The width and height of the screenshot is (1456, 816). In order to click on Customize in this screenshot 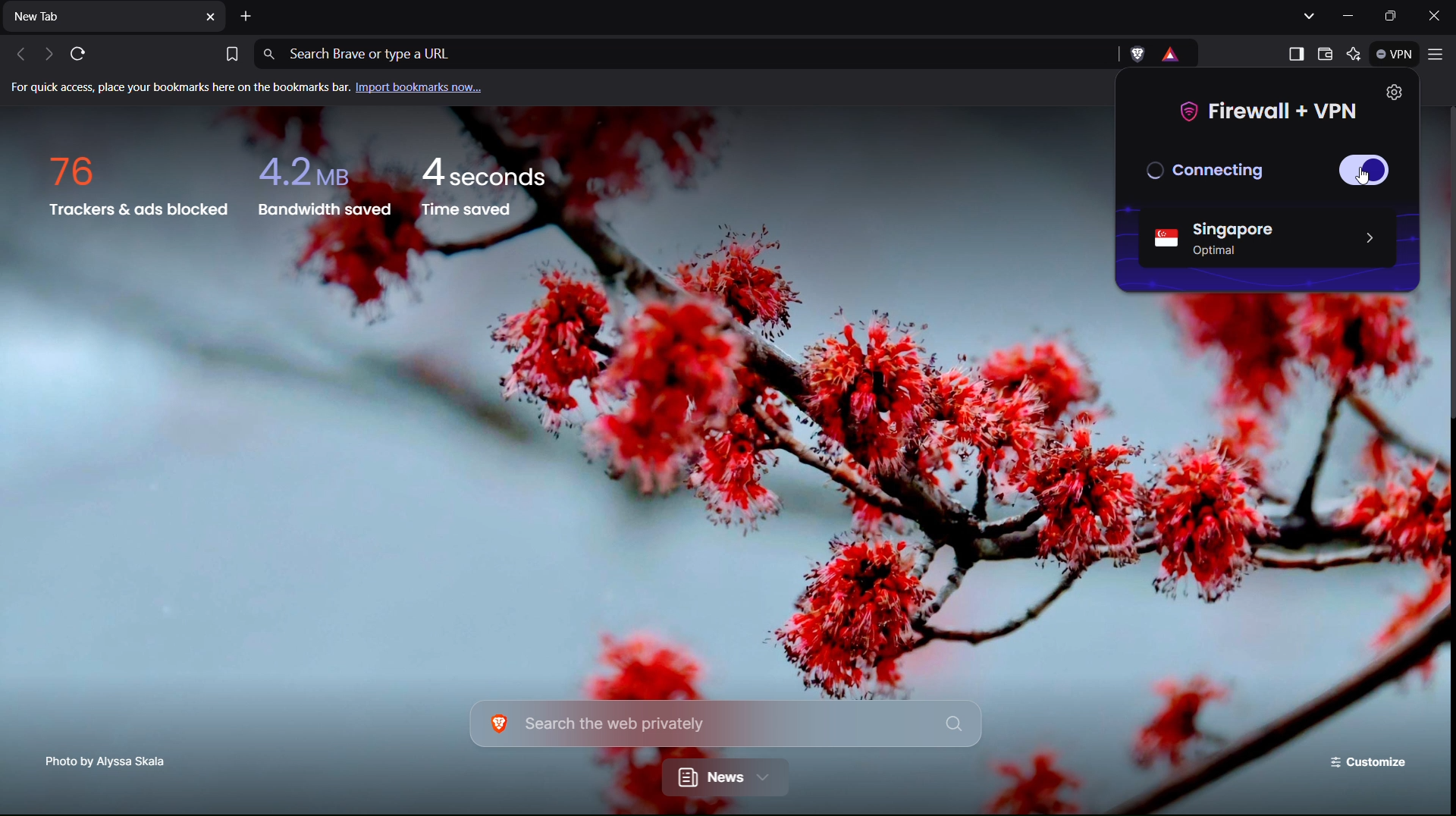, I will do `click(1367, 760)`.